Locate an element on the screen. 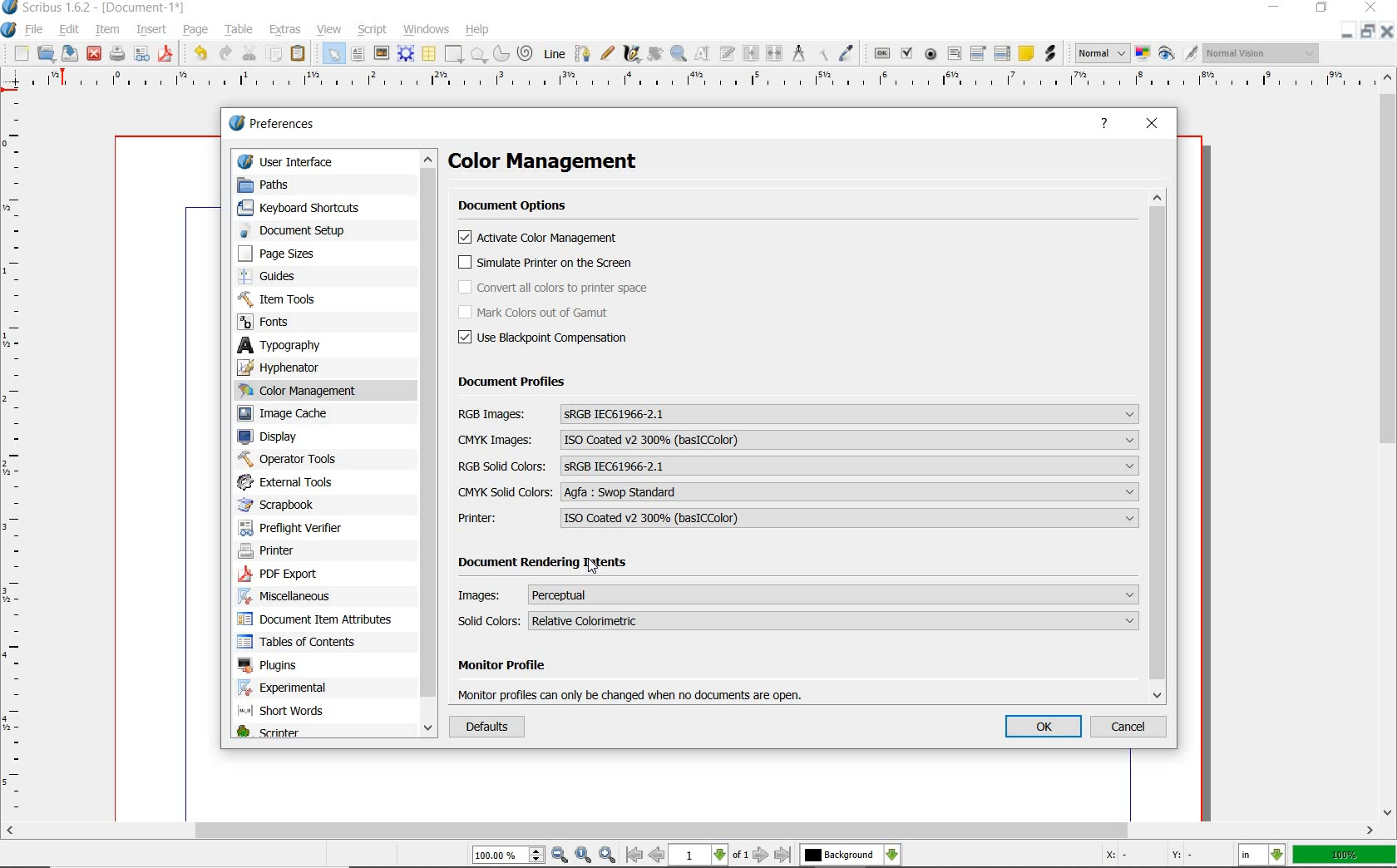 The width and height of the screenshot is (1397, 868). windows is located at coordinates (427, 28).